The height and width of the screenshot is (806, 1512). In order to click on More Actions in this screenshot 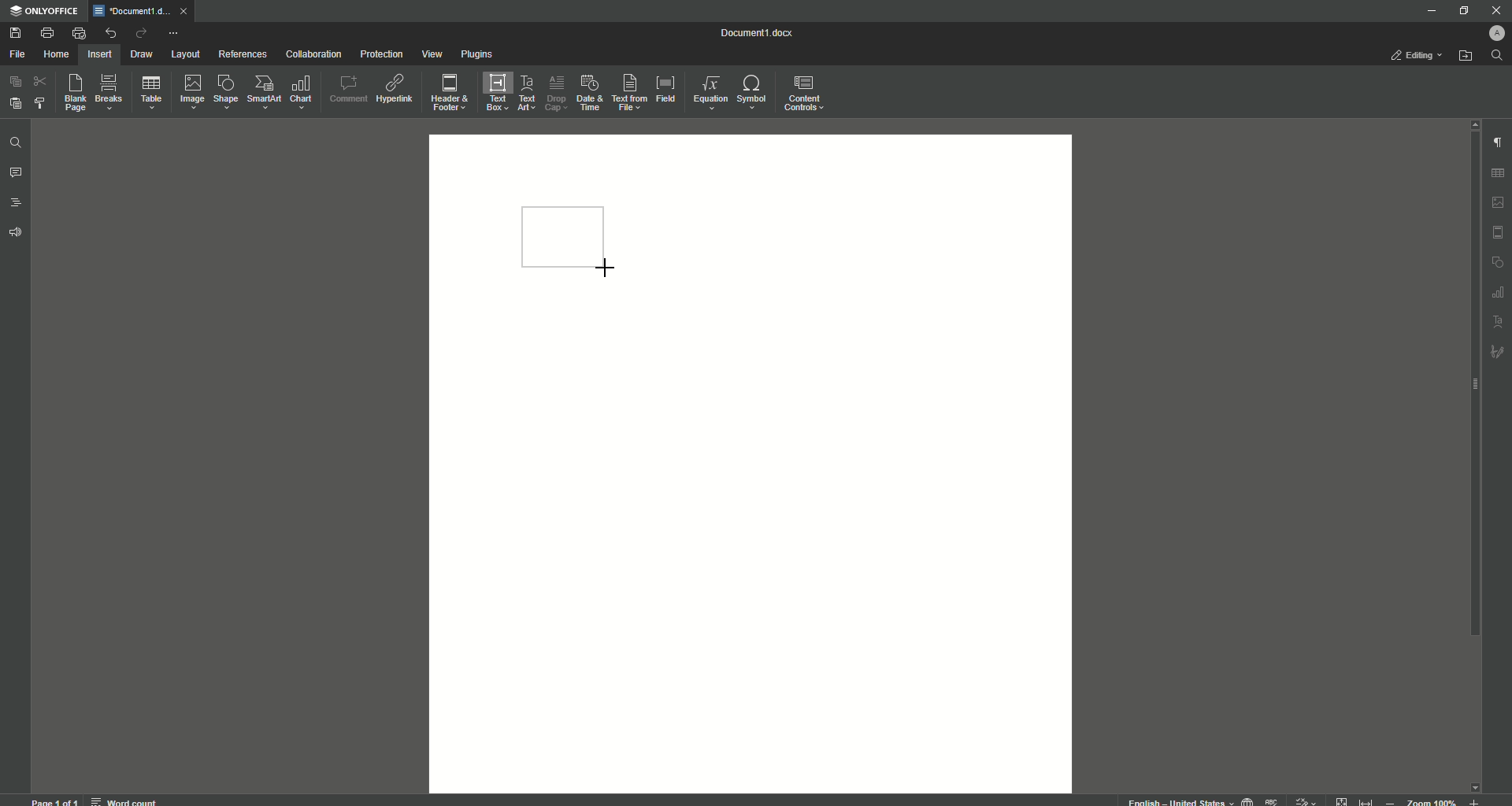, I will do `click(172, 35)`.